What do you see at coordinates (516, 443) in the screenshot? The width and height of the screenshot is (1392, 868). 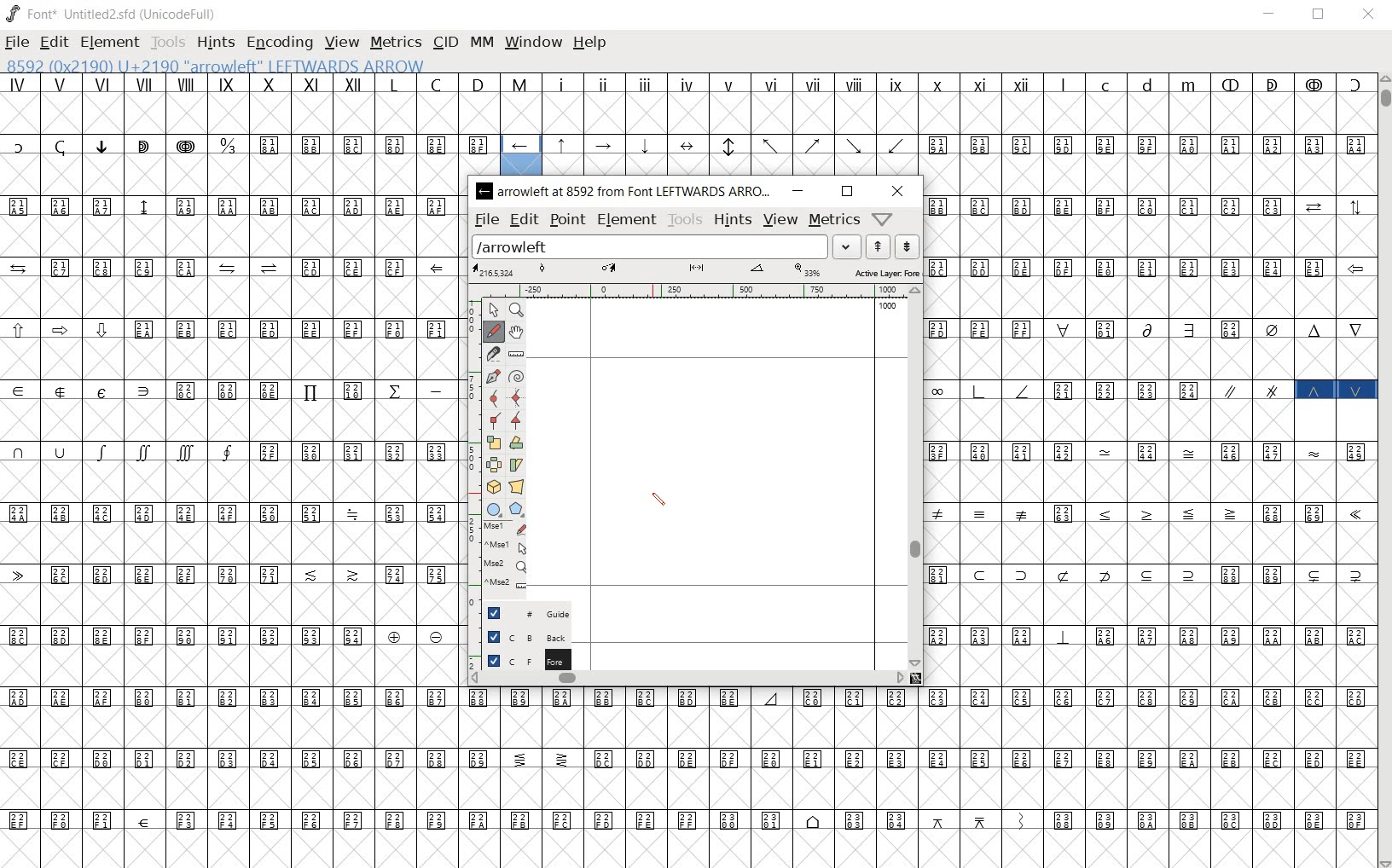 I see `Rotate the selection` at bounding box center [516, 443].